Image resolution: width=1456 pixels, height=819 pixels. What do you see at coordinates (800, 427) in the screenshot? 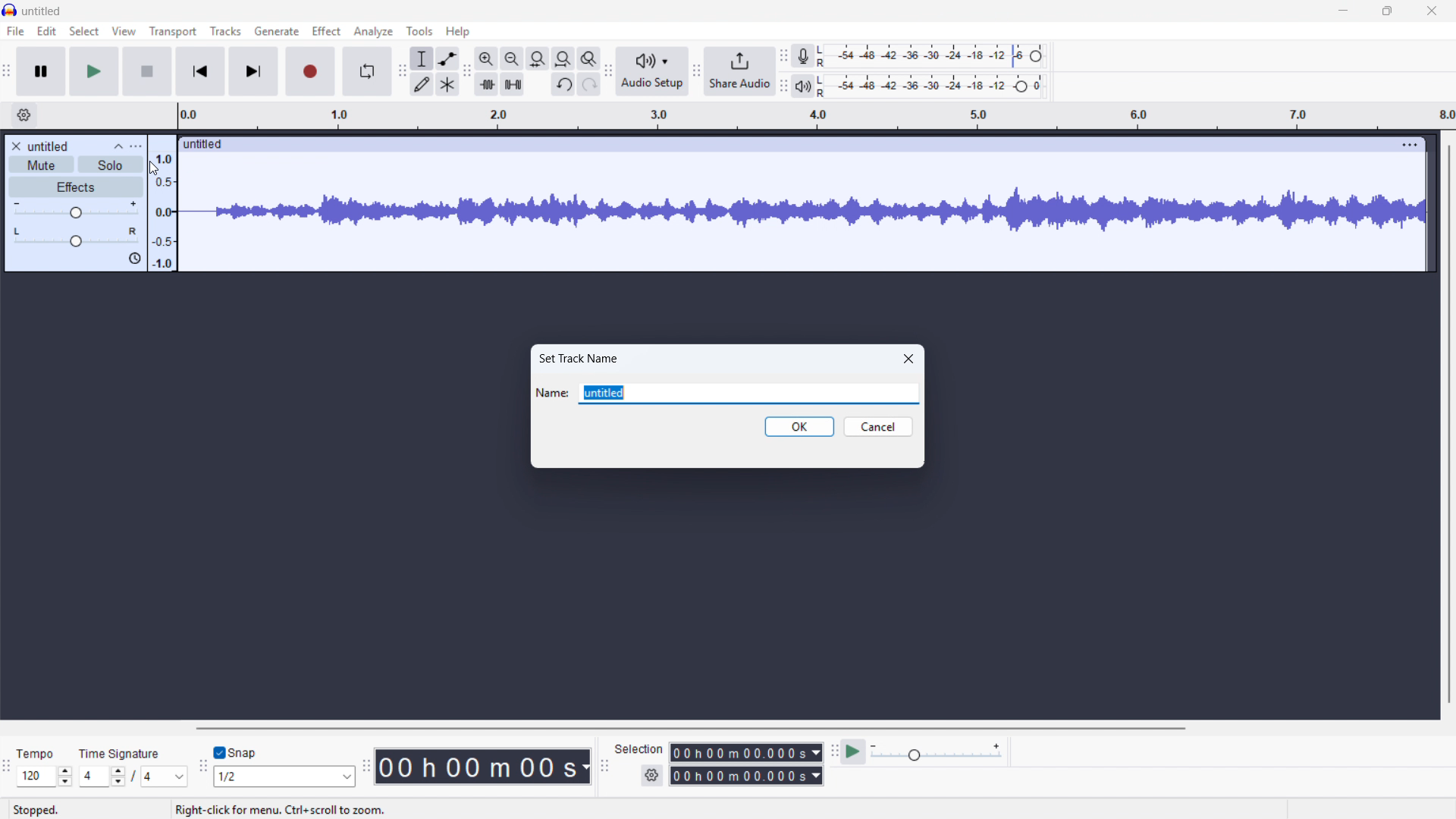
I see `OK` at bounding box center [800, 427].